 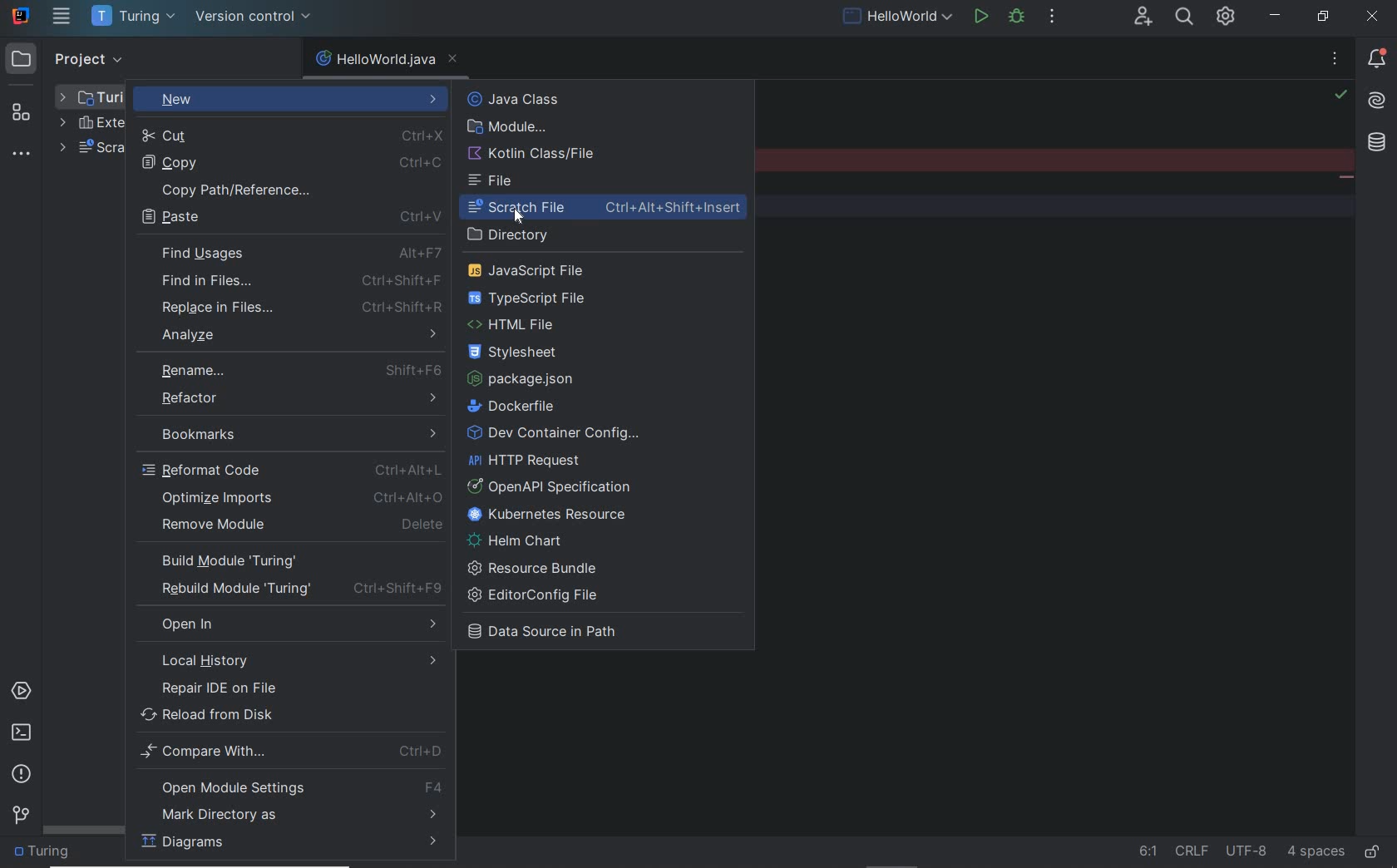 What do you see at coordinates (555, 634) in the screenshot?
I see `data source in path` at bounding box center [555, 634].